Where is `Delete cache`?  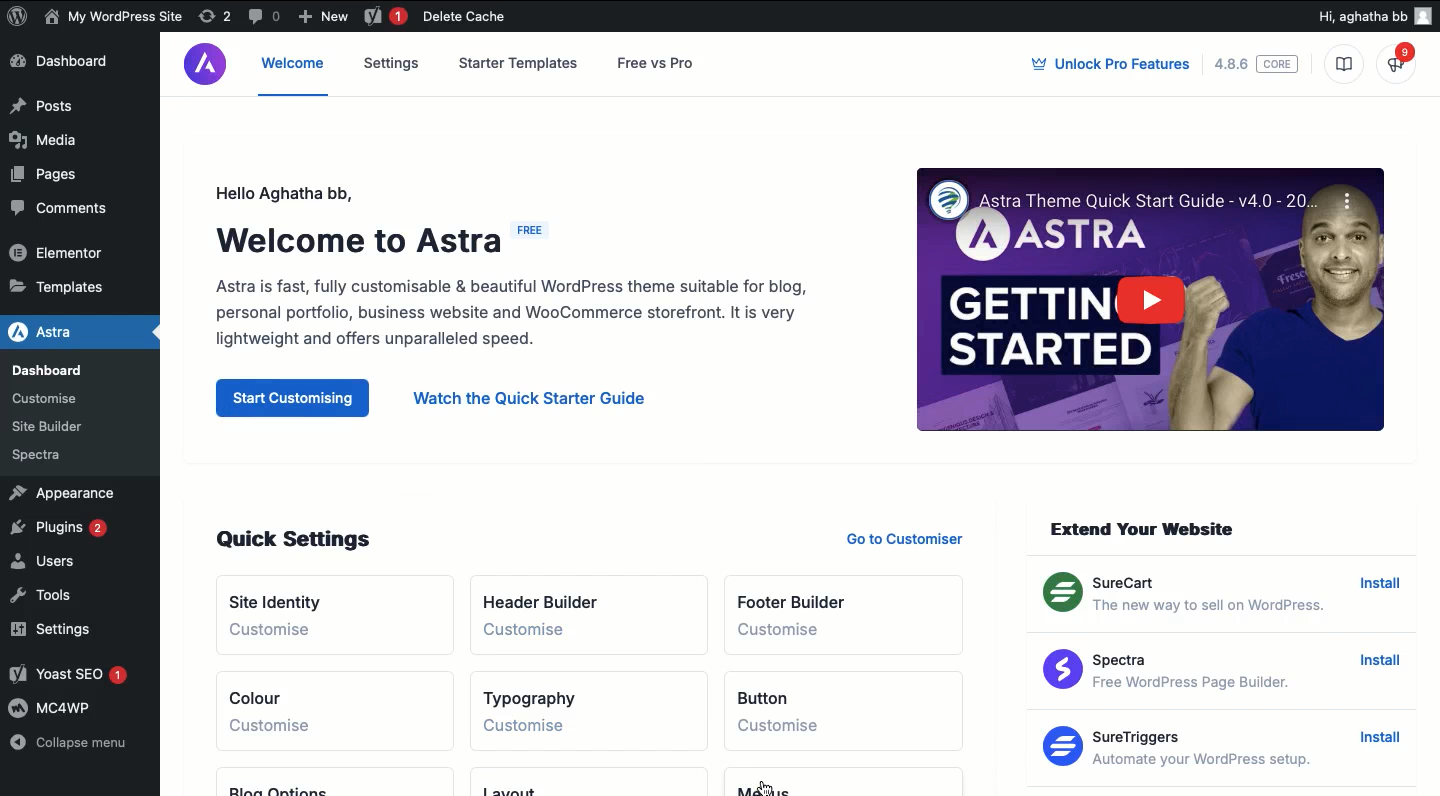 Delete cache is located at coordinates (463, 17).